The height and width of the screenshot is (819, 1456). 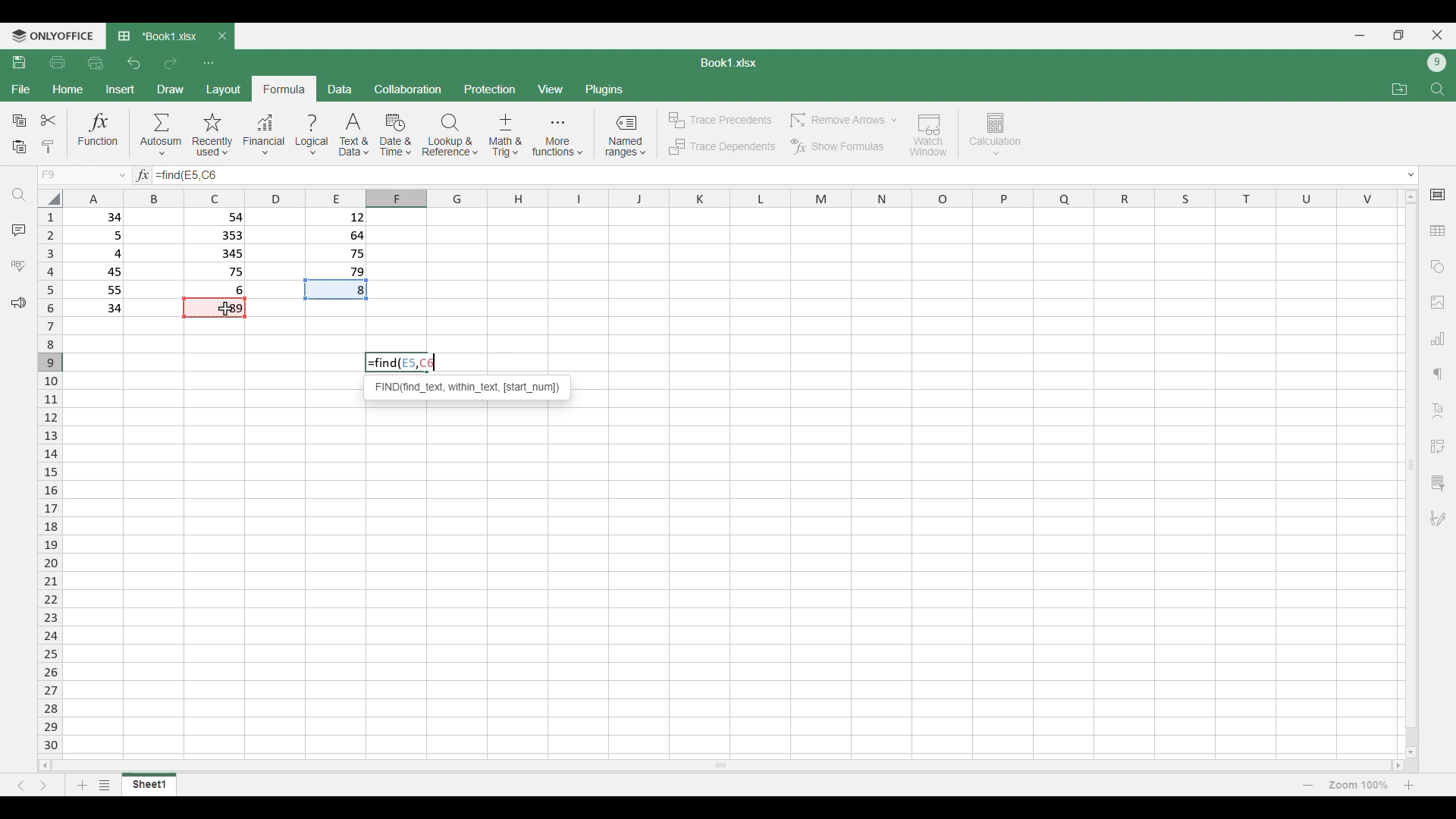 I want to click on Spell check, so click(x=18, y=265).